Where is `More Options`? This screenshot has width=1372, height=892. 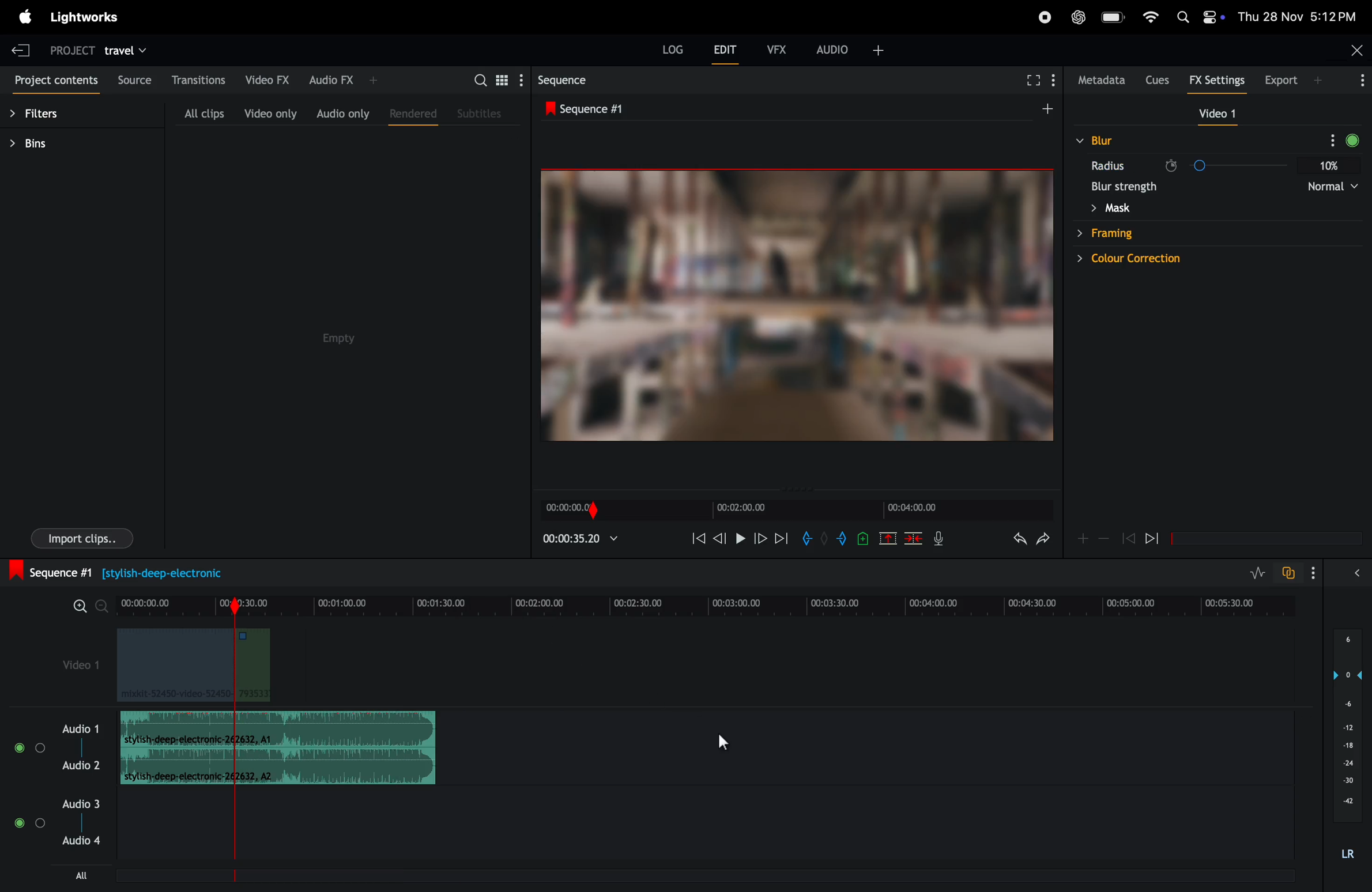
More Options is located at coordinates (1330, 140).